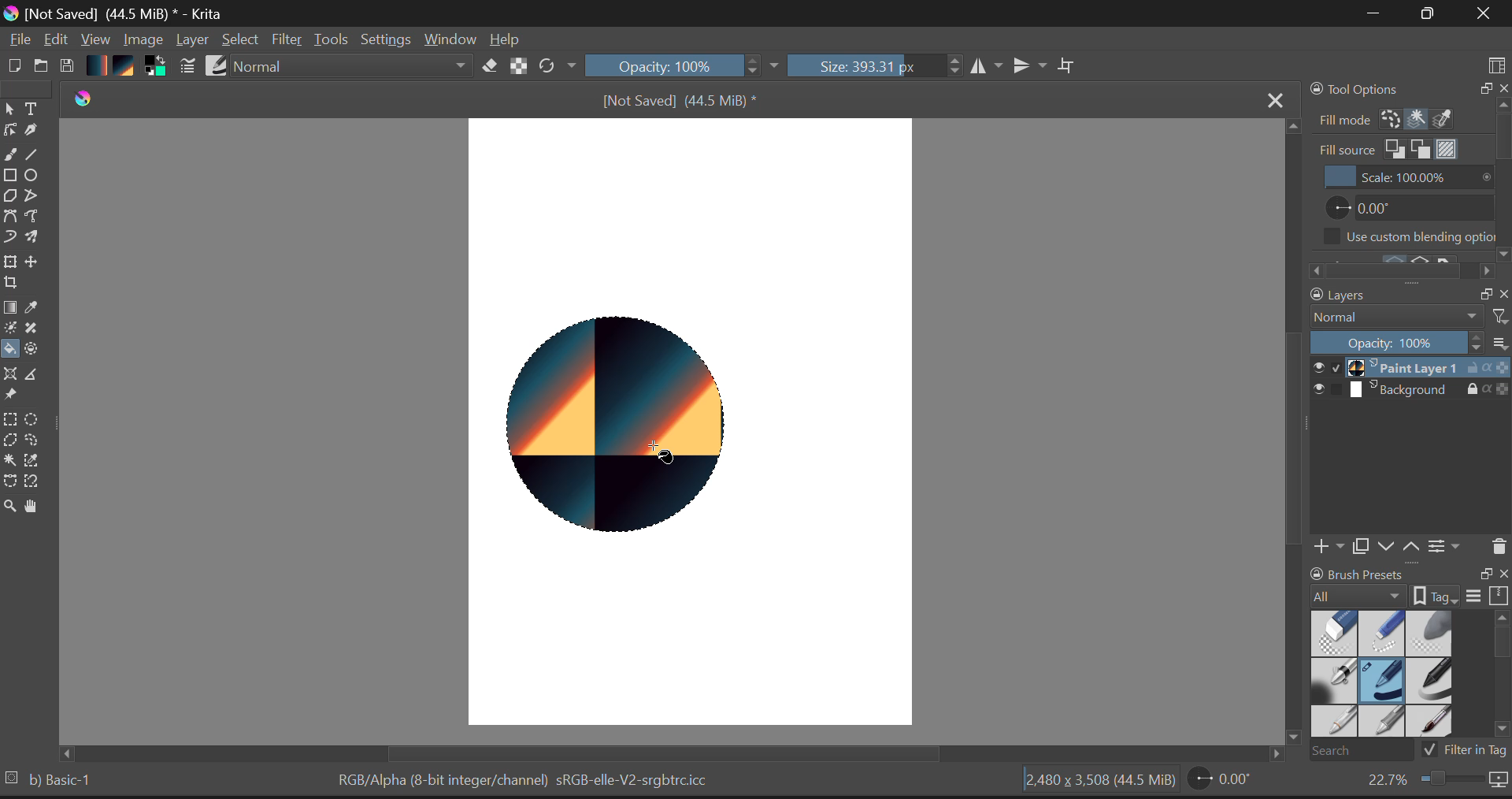  What do you see at coordinates (13, 178) in the screenshot?
I see `Rectangle` at bounding box center [13, 178].